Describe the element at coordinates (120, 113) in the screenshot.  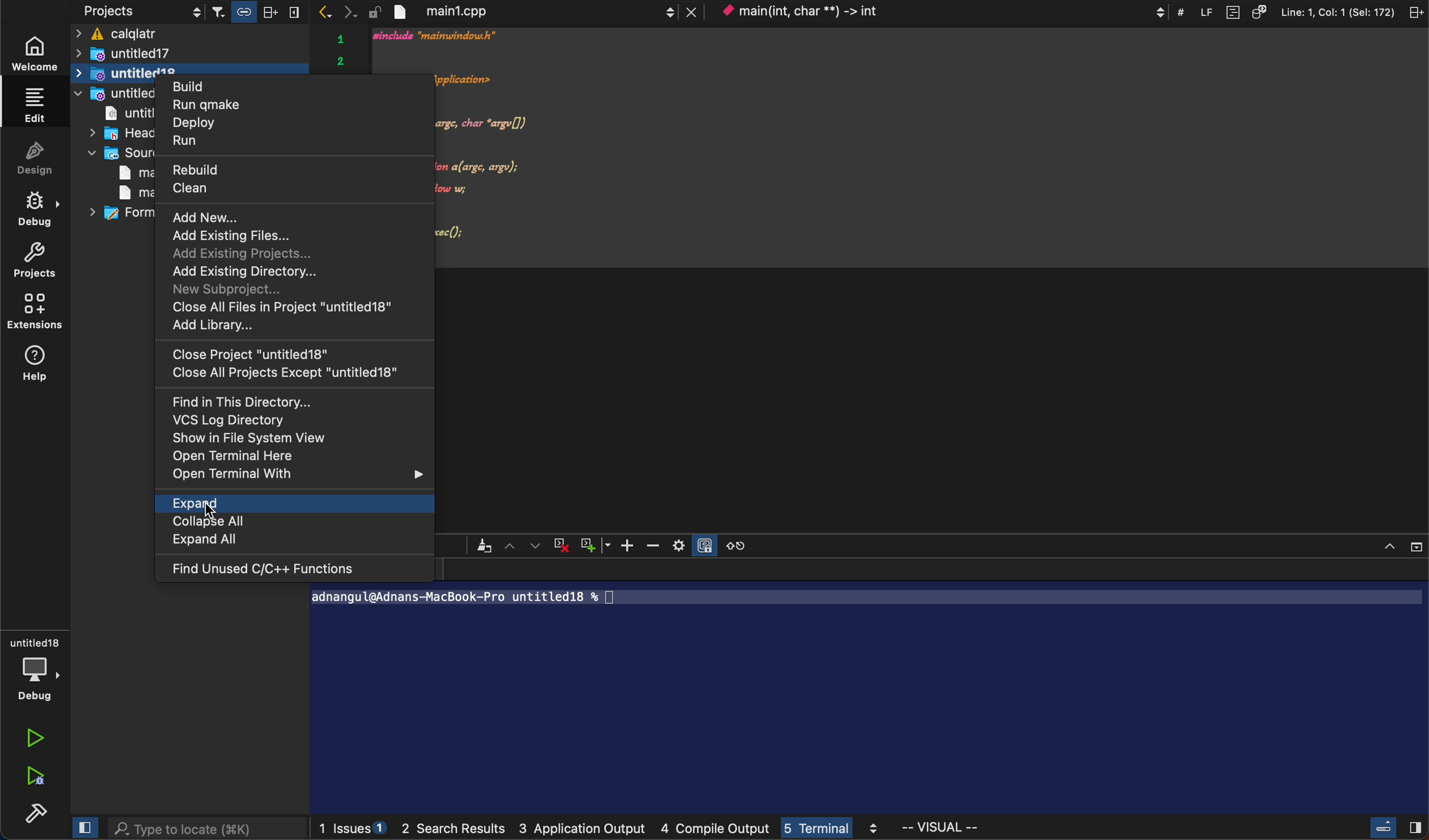
I see `untitled pro` at that location.